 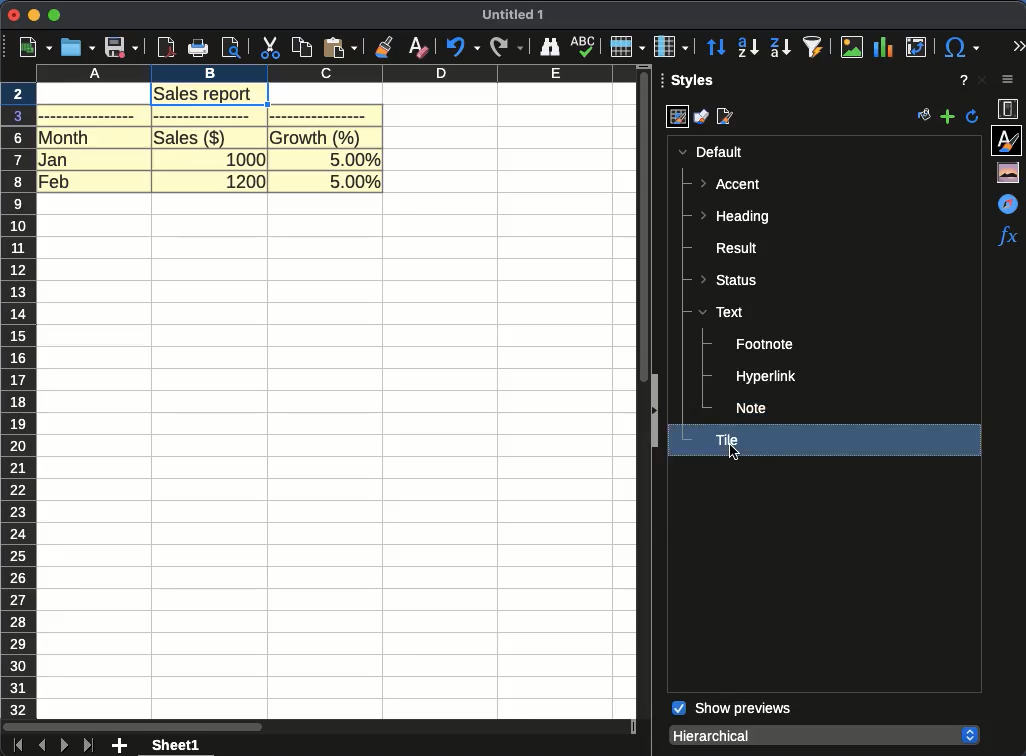 What do you see at coordinates (732, 184) in the screenshot?
I see `accent` at bounding box center [732, 184].